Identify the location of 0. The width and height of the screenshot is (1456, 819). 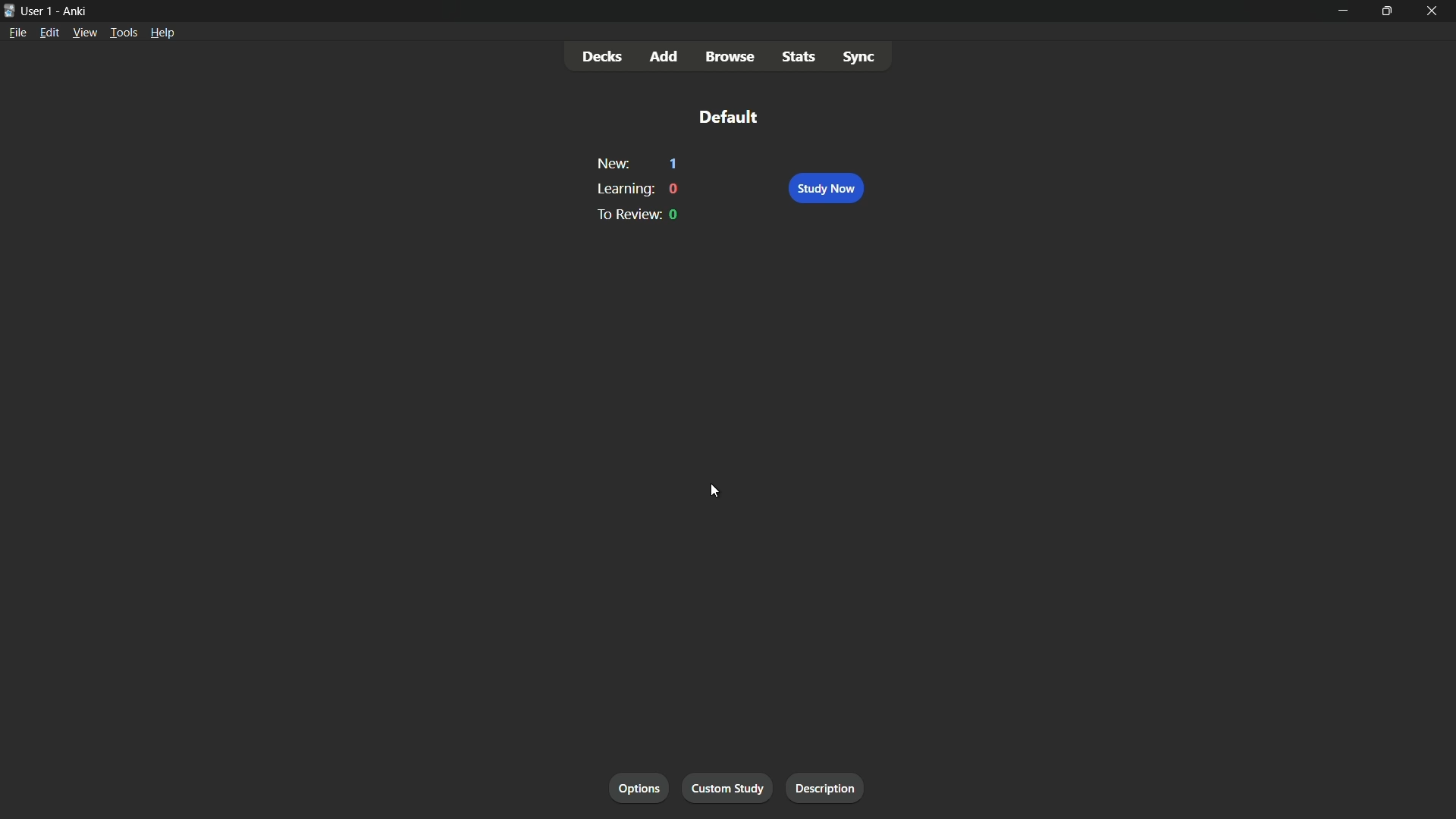
(674, 190).